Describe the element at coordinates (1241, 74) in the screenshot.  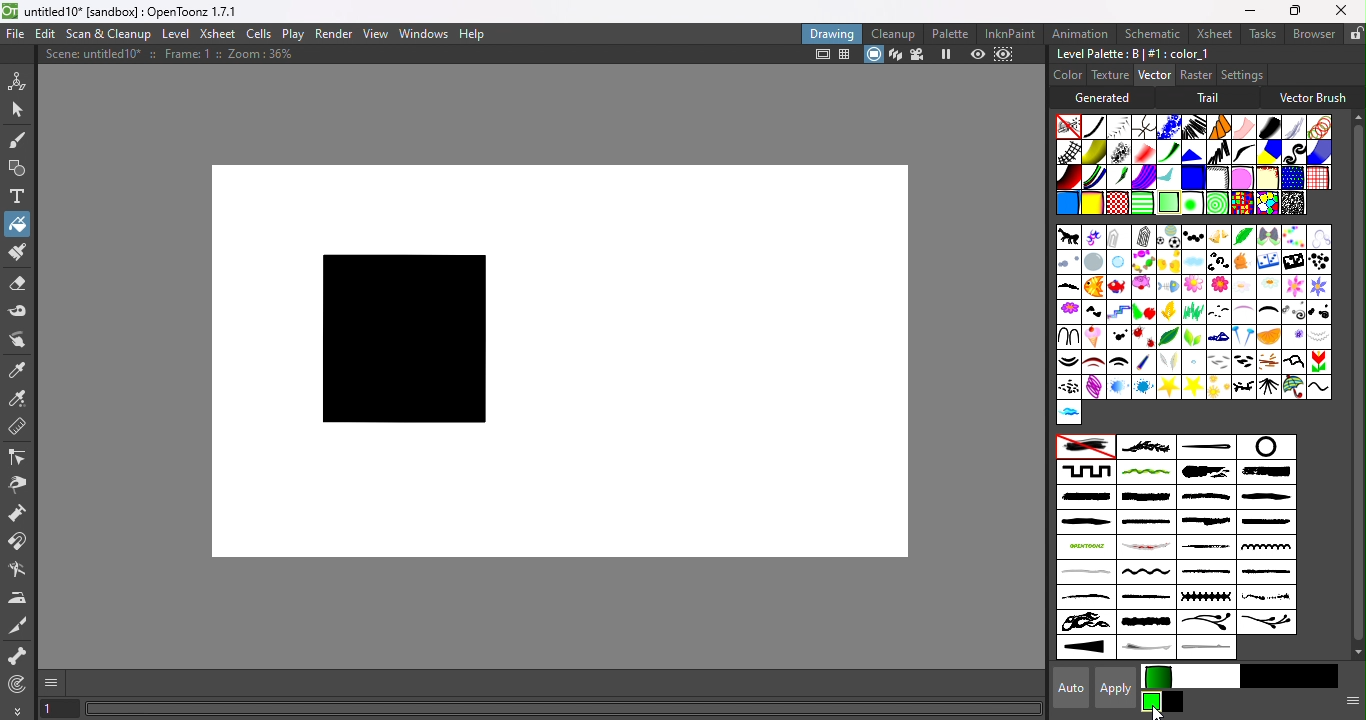
I see `Settings` at that location.